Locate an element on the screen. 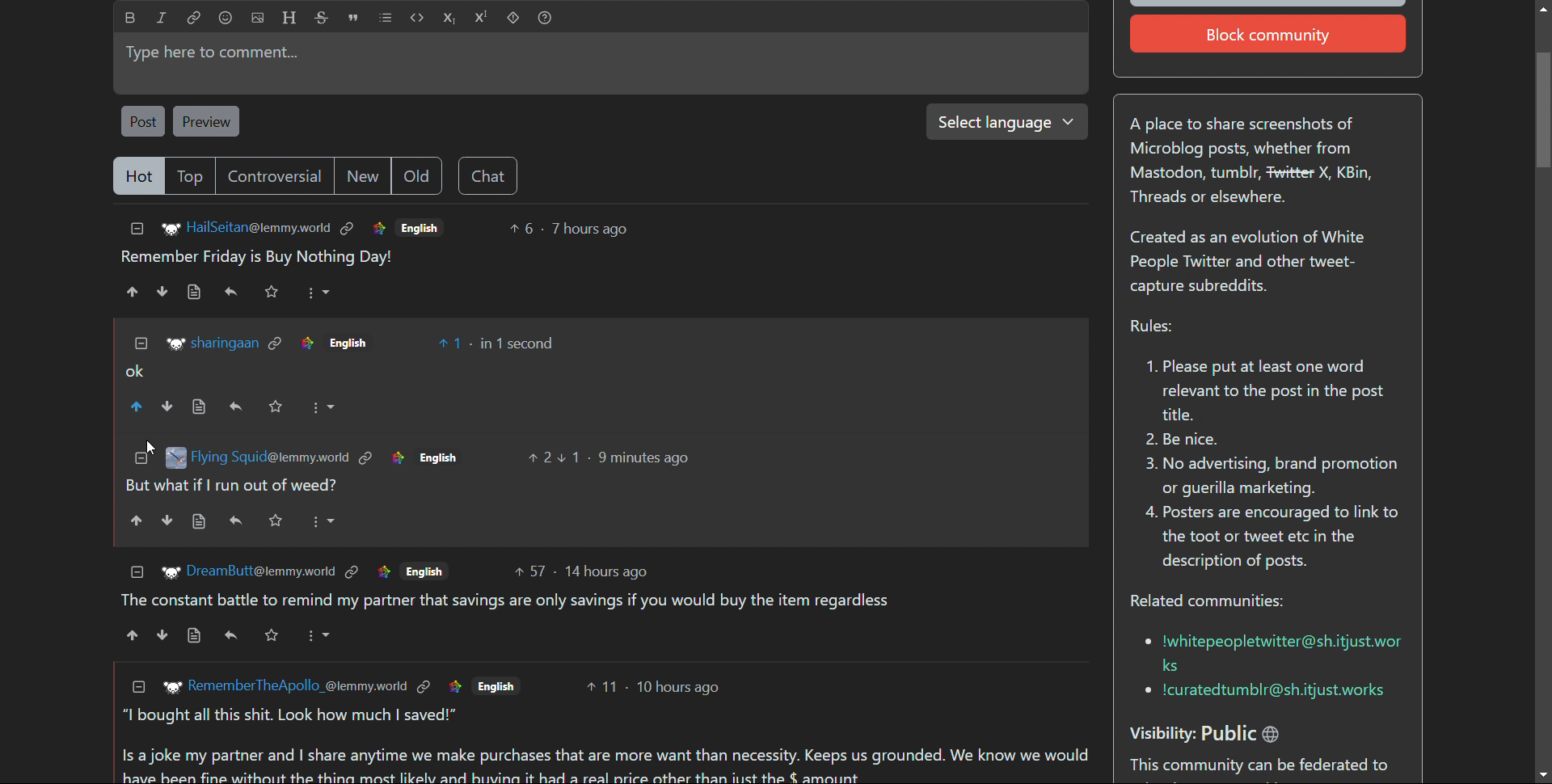 Image resolution: width=1552 pixels, height=784 pixels. link is located at coordinates (195, 17).